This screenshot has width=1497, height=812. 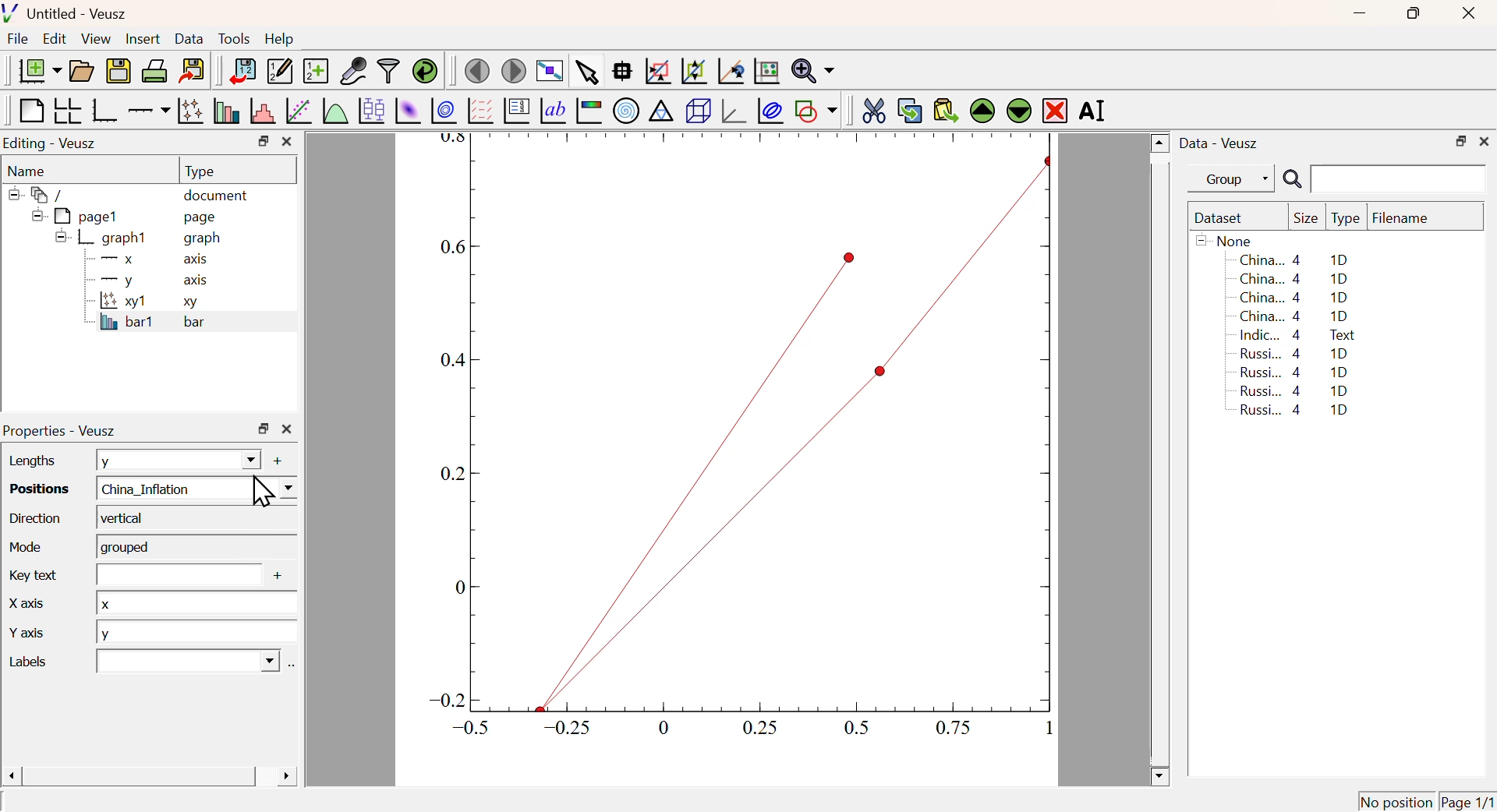 What do you see at coordinates (1296, 298) in the screenshot?
I see `China... 4 1D` at bounding box center [1296, 298].